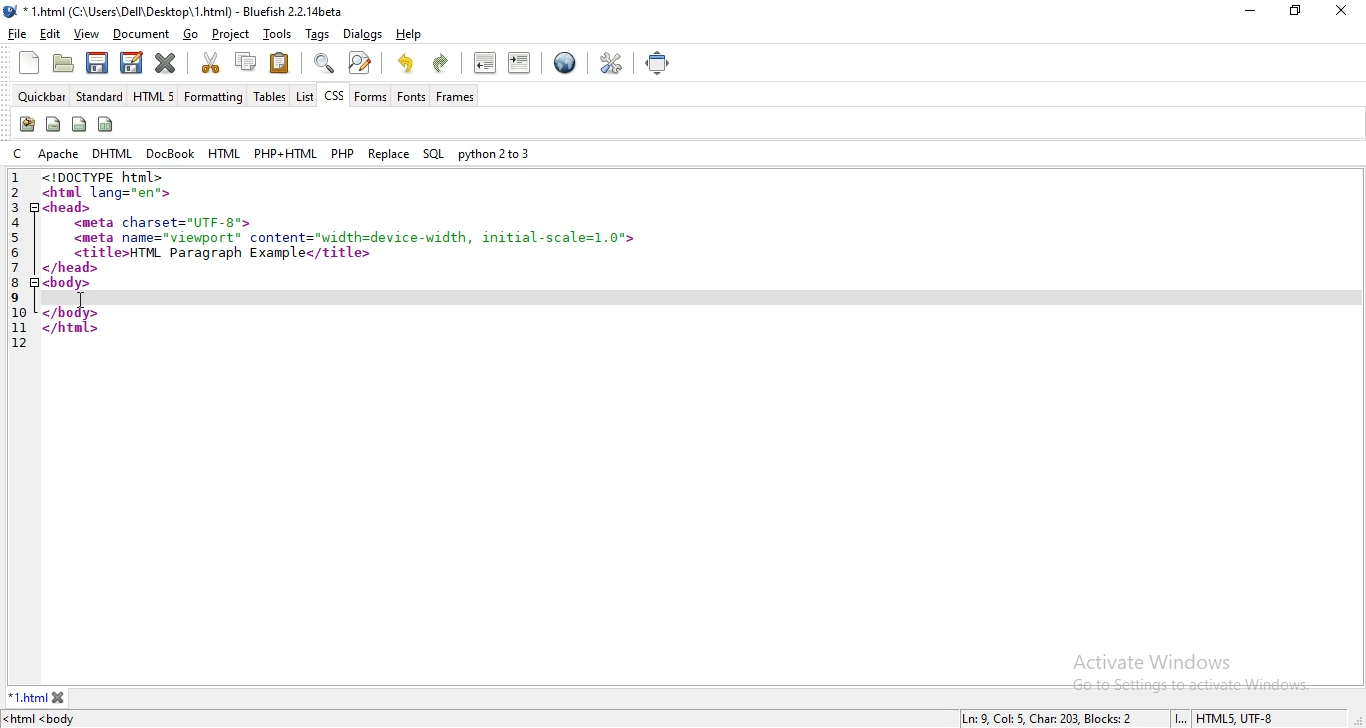 The height and width of the screenshot is (728, 1366). I want to click on document, so click(139, 34).